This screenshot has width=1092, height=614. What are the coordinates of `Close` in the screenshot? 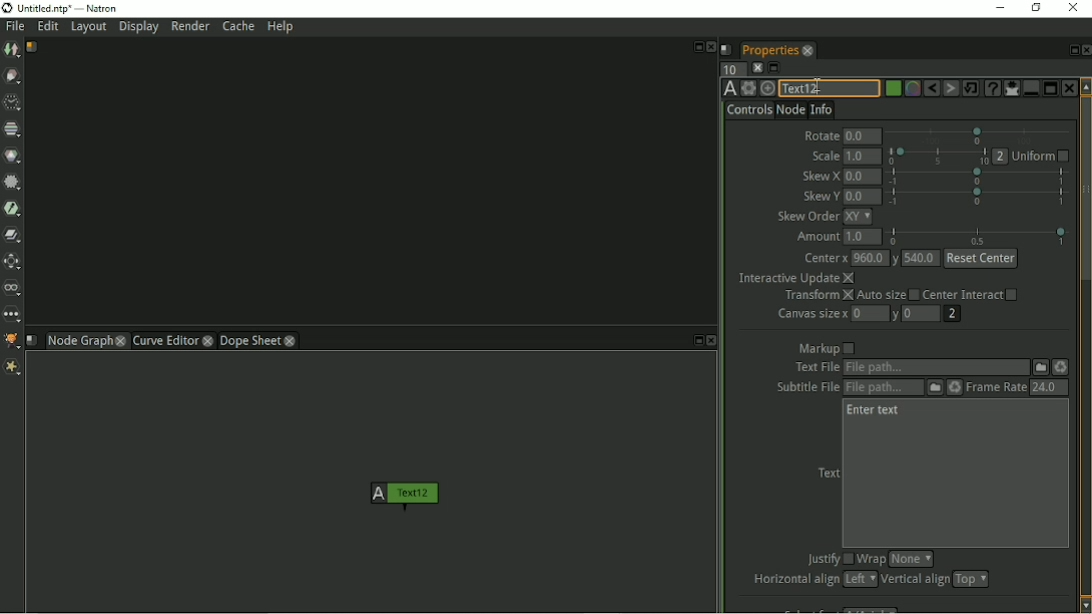 It's located at (711, 47).